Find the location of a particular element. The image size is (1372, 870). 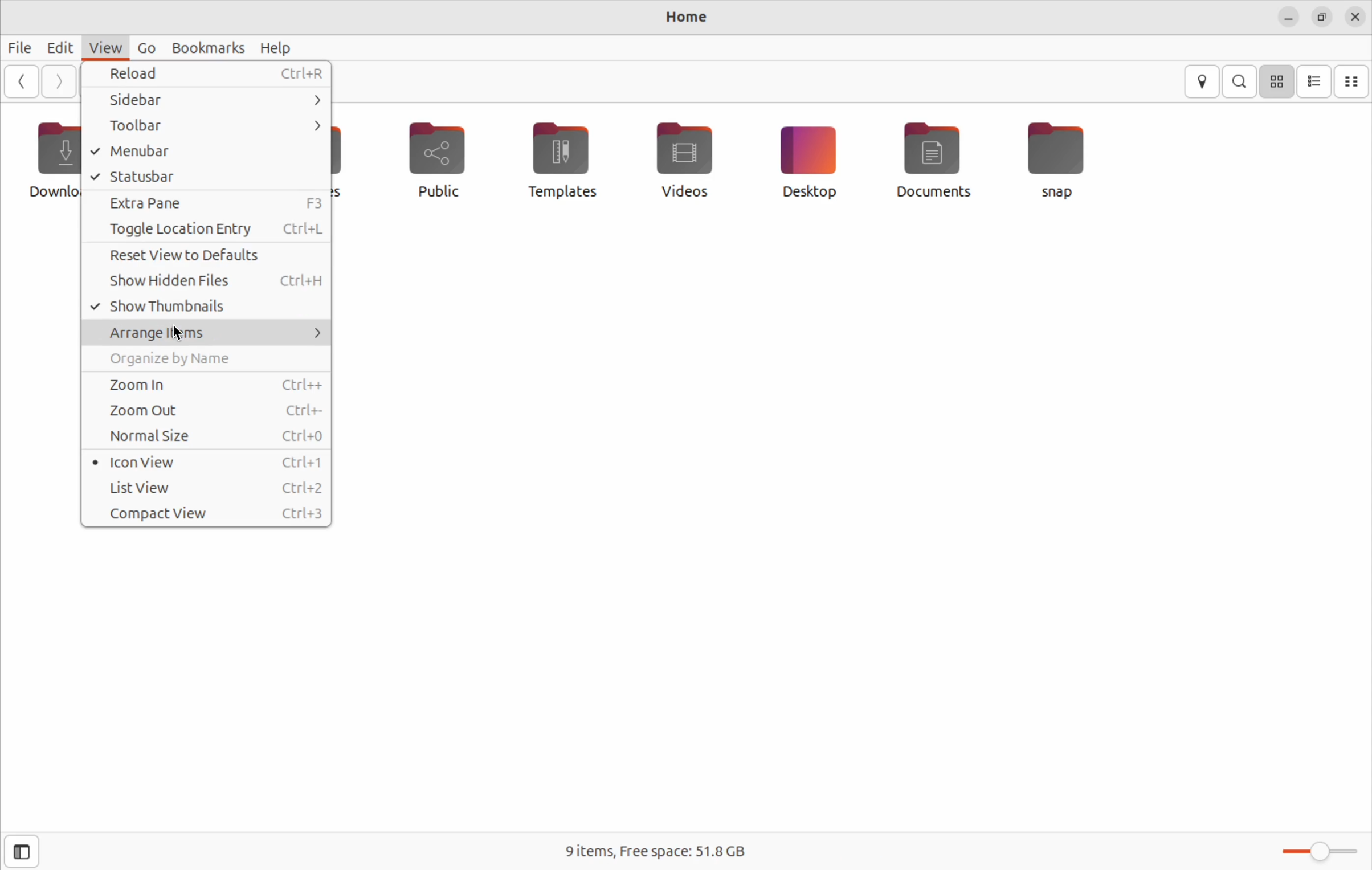

home is located at coordinates (682, 18).